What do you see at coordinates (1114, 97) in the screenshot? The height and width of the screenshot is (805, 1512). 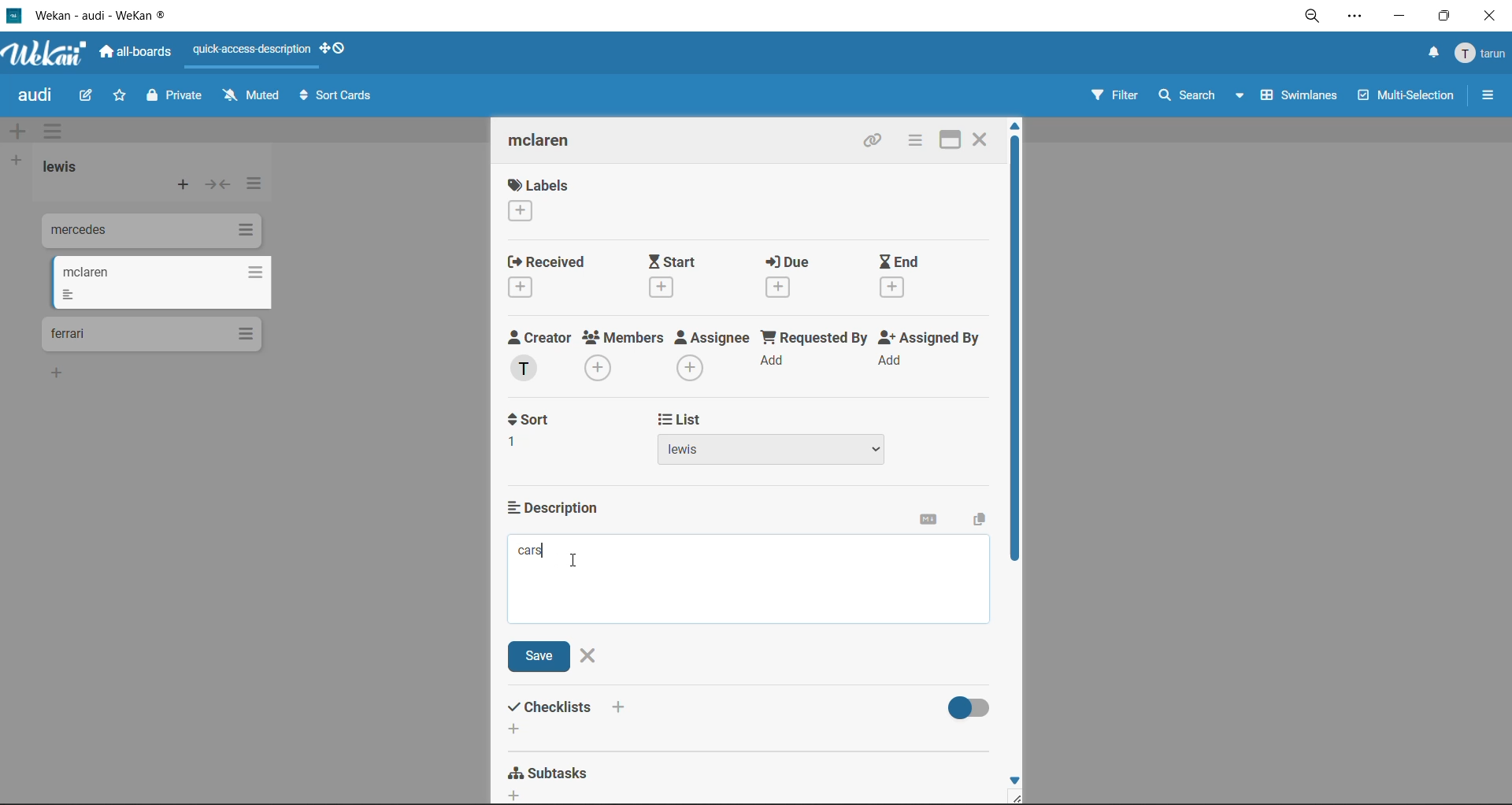 I see `filter` at bounding box center [1114, 97].